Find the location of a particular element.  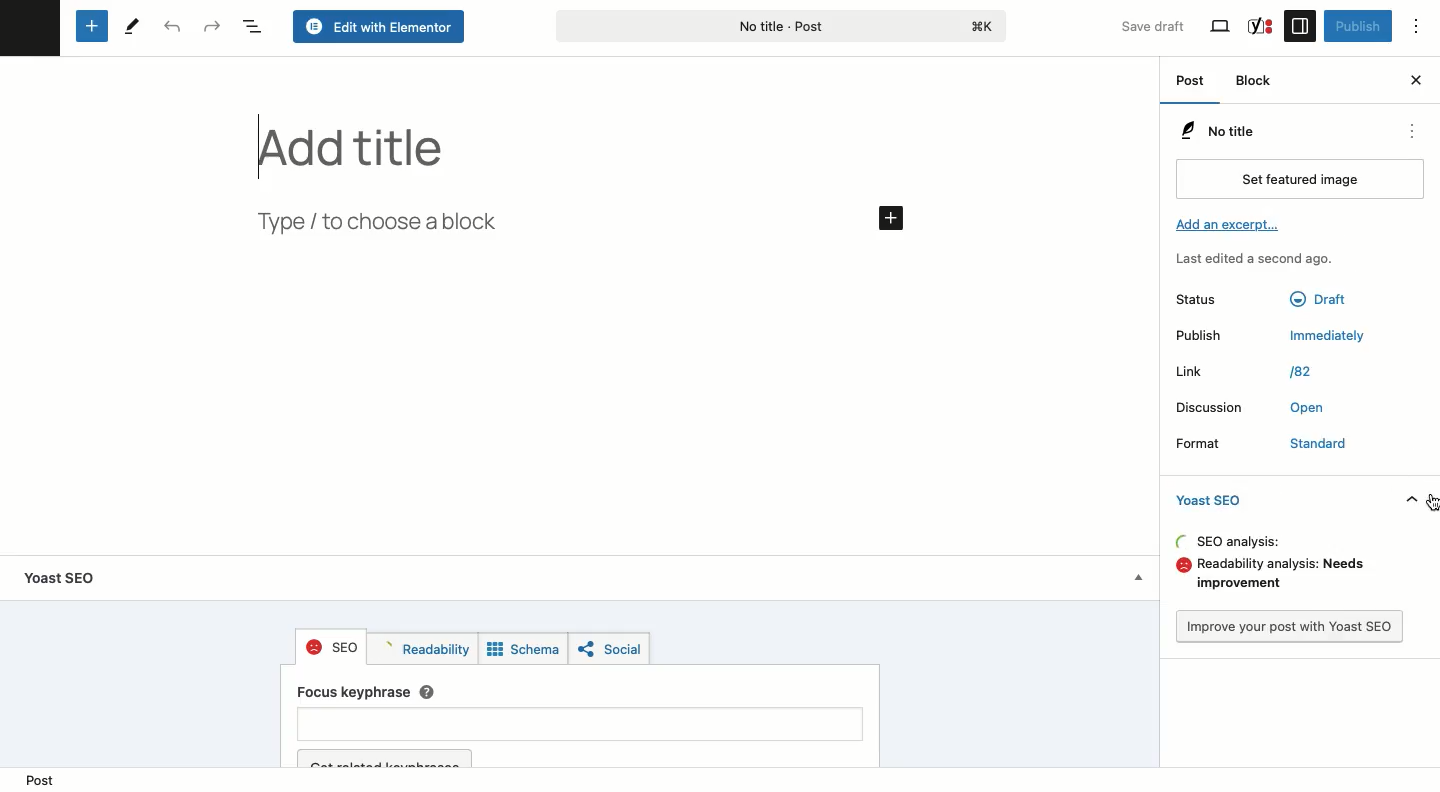

Undo is located at coordinates (170, 28).